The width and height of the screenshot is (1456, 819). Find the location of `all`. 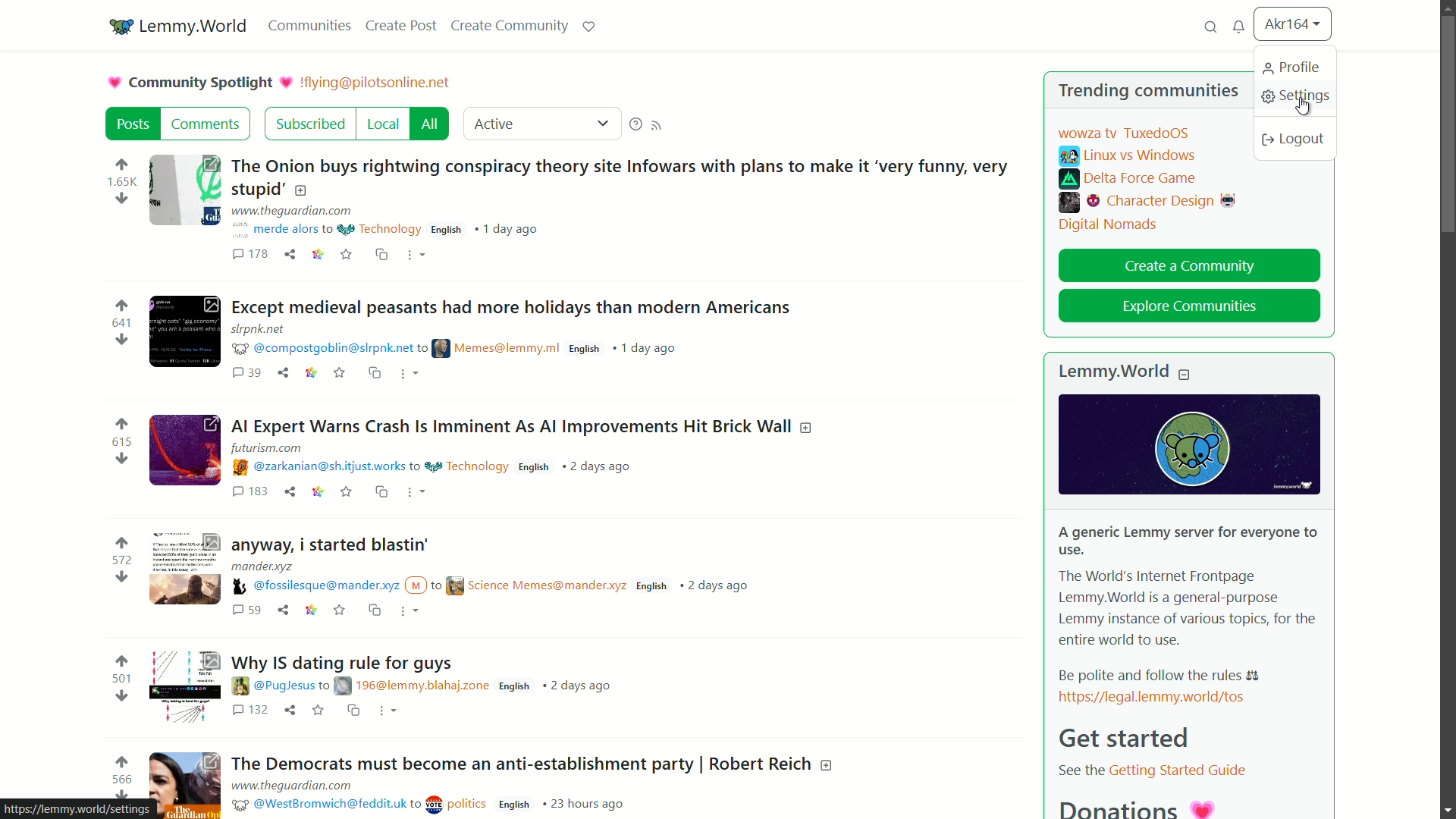

all is located at coordinates (433, 124).